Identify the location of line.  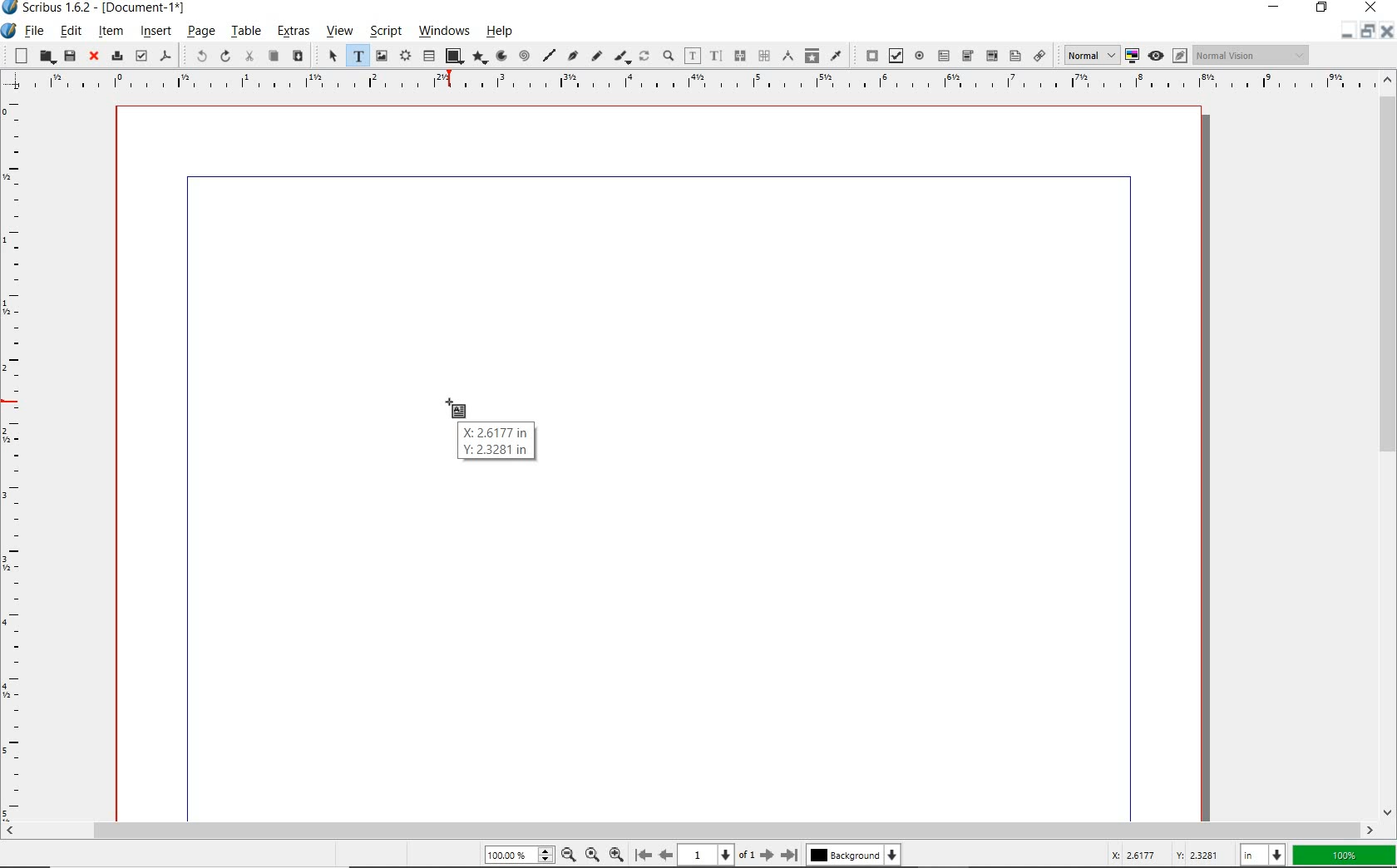
(549, 54).